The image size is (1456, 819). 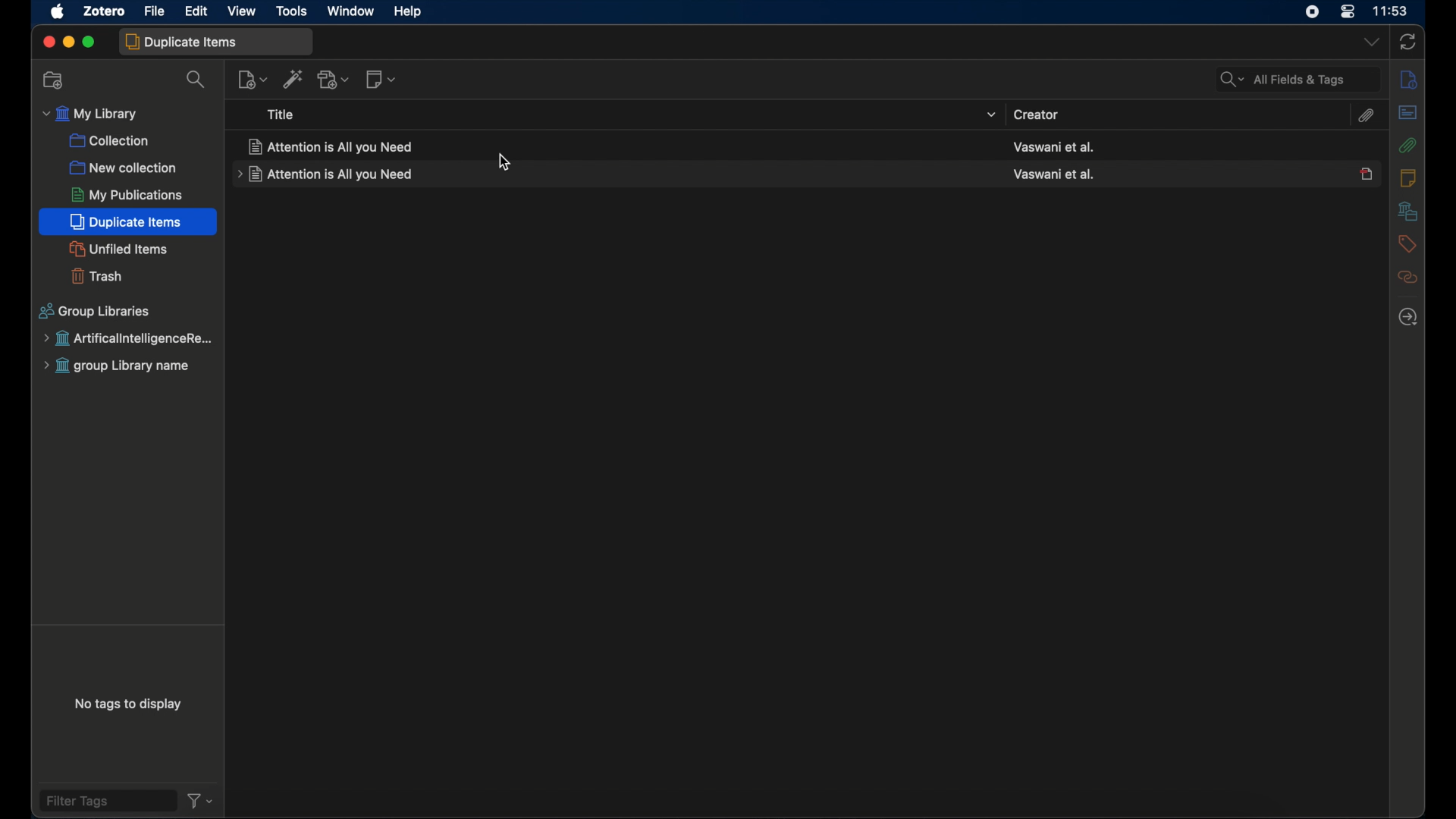 I want to click on collection, so click(x=109, y=142).